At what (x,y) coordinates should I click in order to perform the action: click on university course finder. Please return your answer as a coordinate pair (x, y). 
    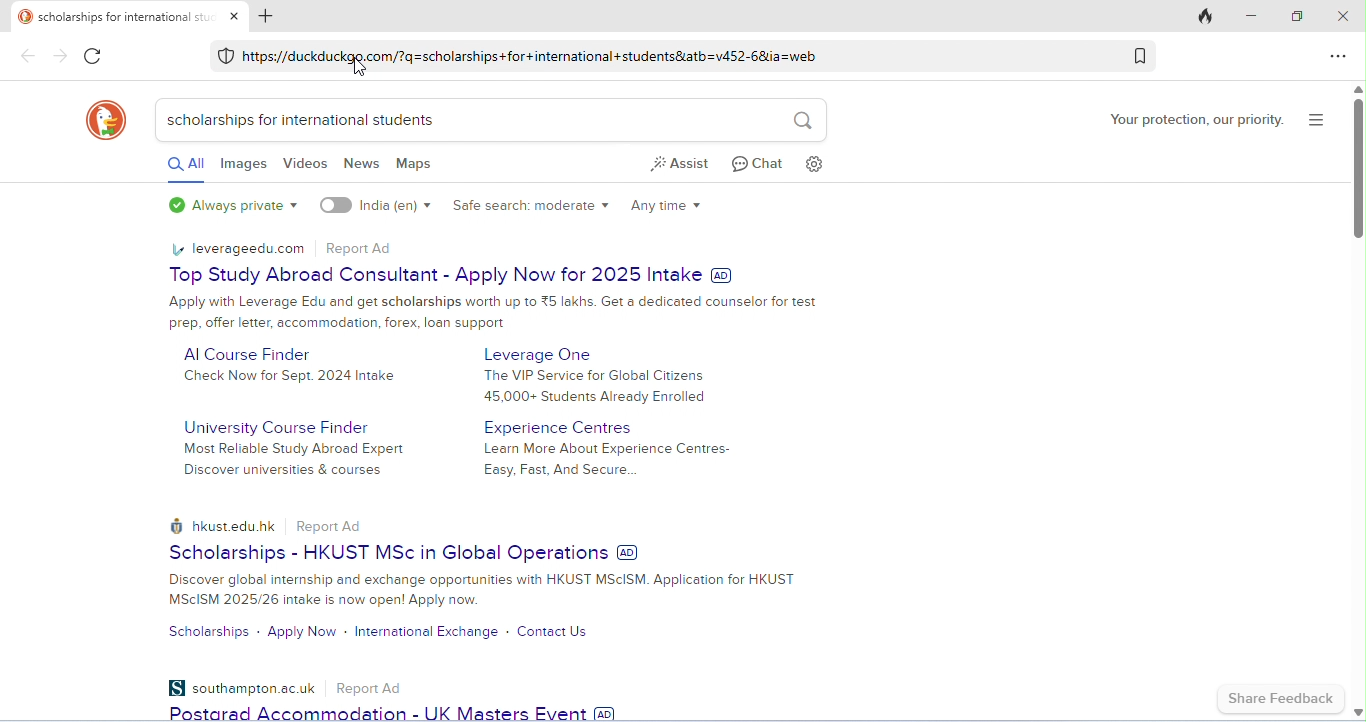
    Looking at the image, I should click on (277, 425).